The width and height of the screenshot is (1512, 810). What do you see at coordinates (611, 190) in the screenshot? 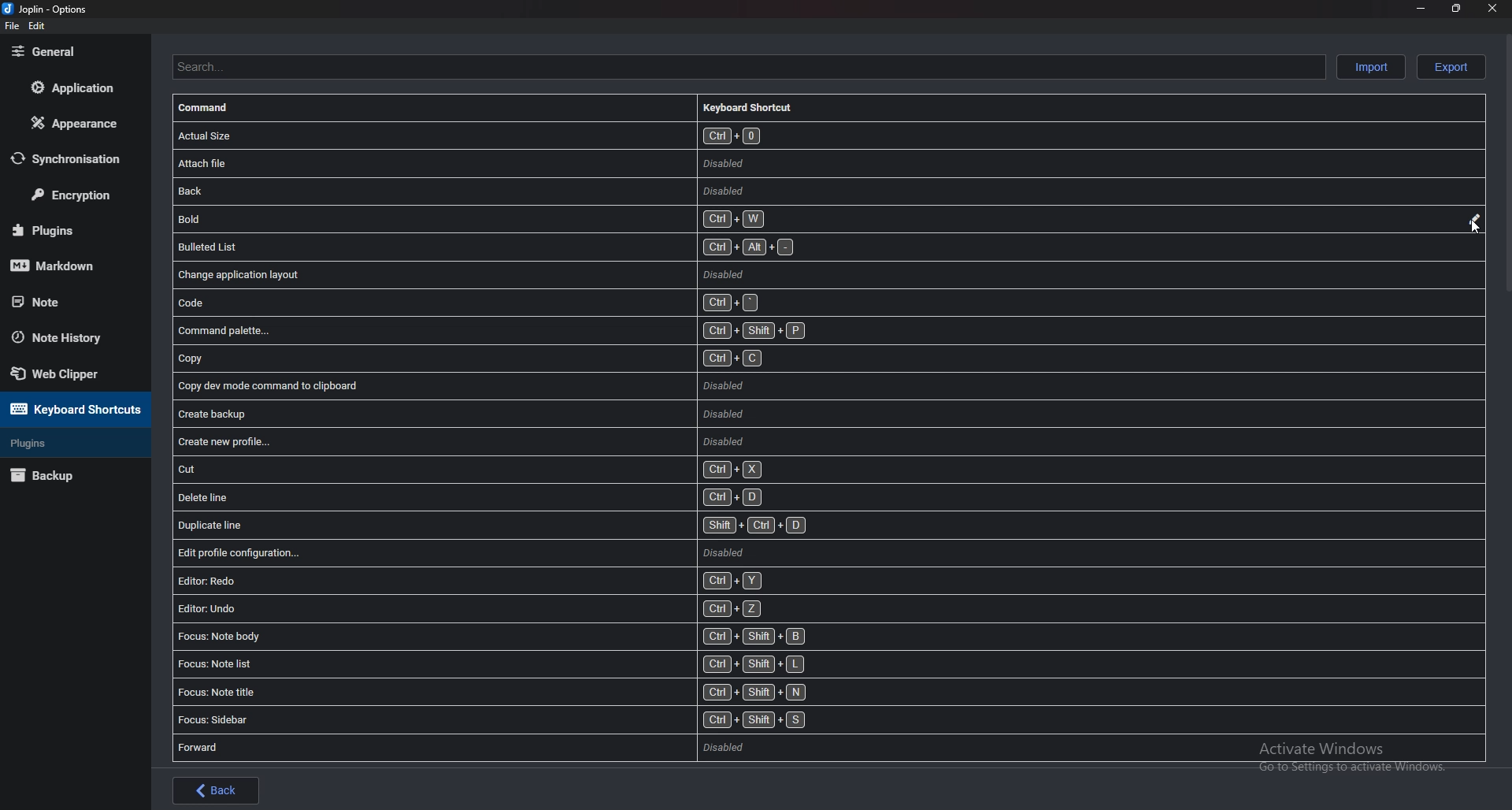
I see `back` at bounding box center [611, 190].